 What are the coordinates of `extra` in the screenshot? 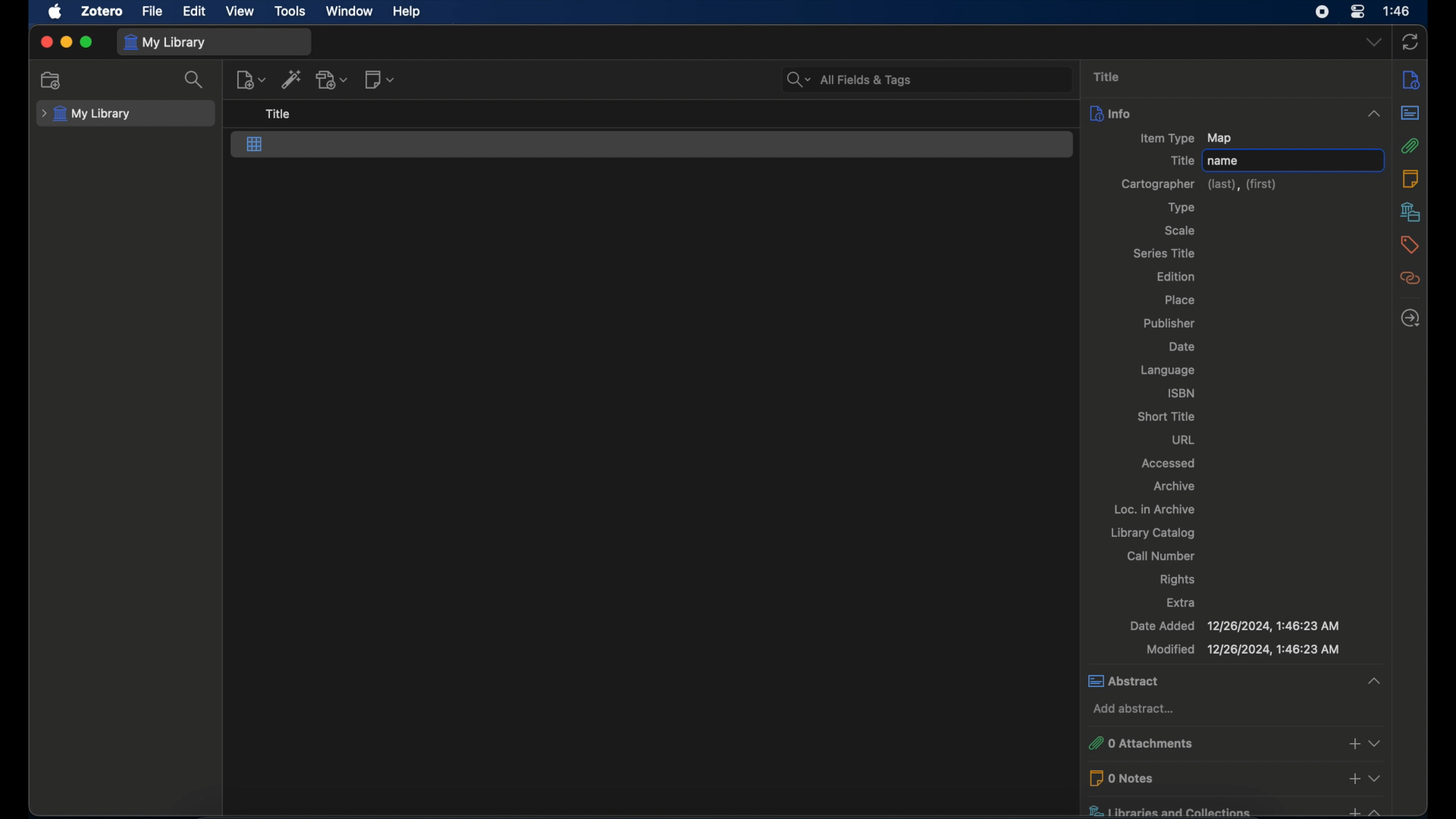 It's located at (1185, 603).